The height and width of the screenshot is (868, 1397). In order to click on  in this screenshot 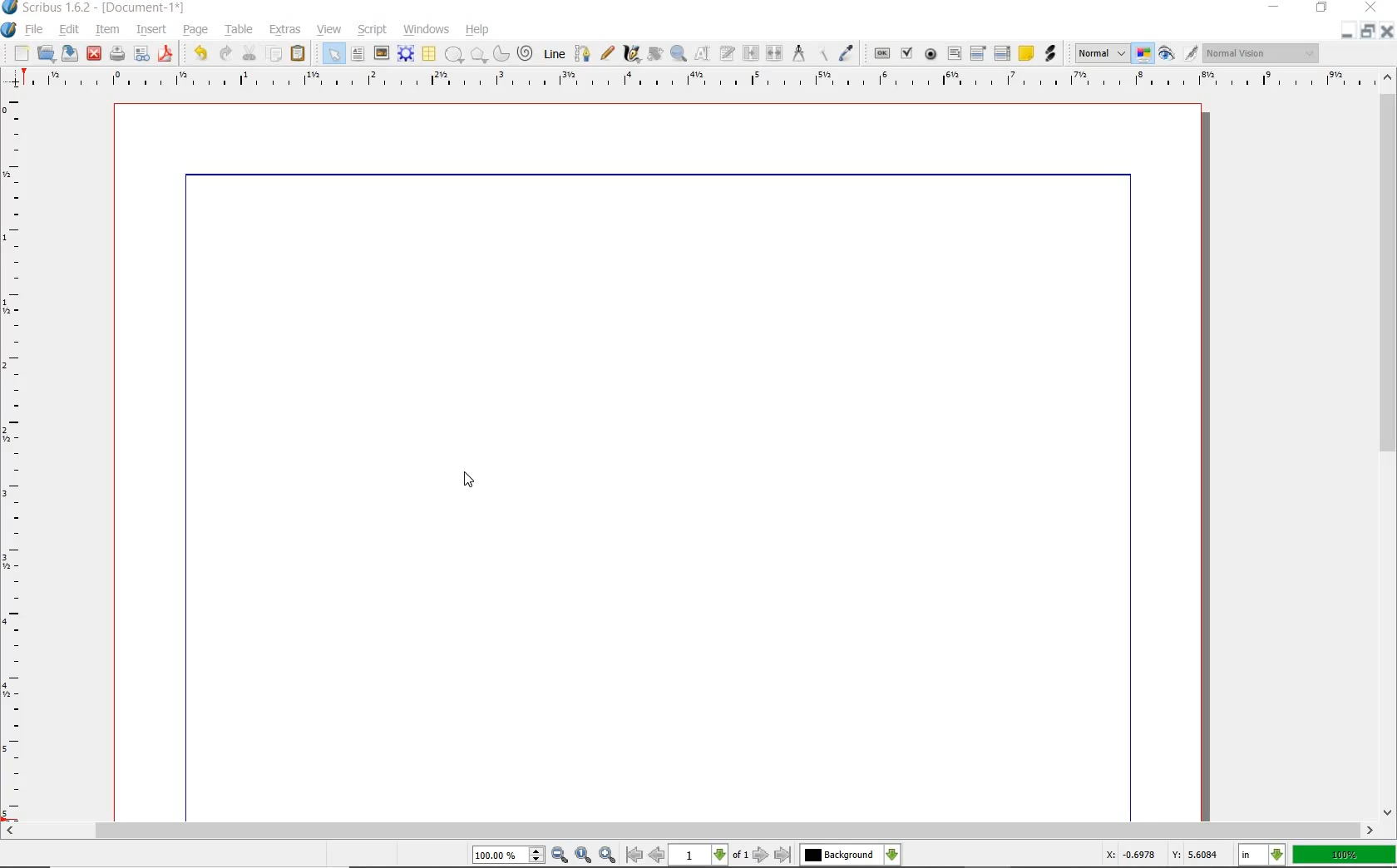, I will do `click(840, 855)`.